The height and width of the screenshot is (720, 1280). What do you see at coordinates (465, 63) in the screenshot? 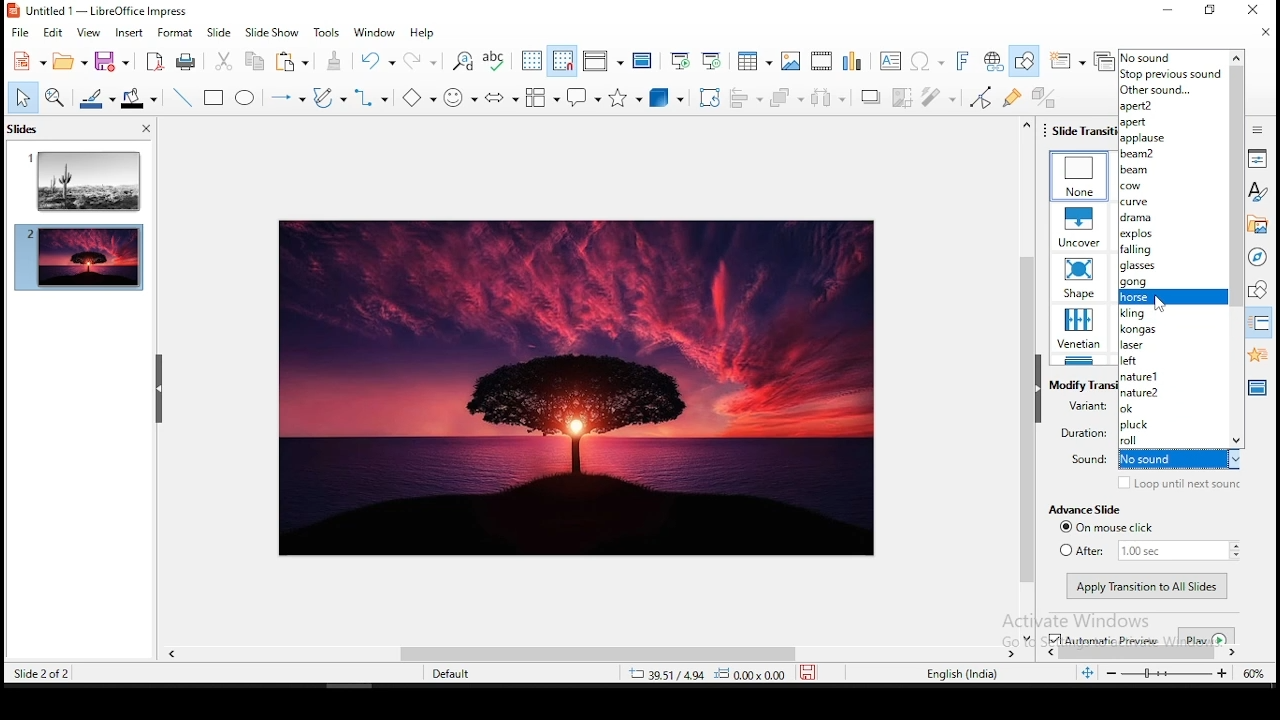
I see `find and replace` at bounding box center [465, 63].